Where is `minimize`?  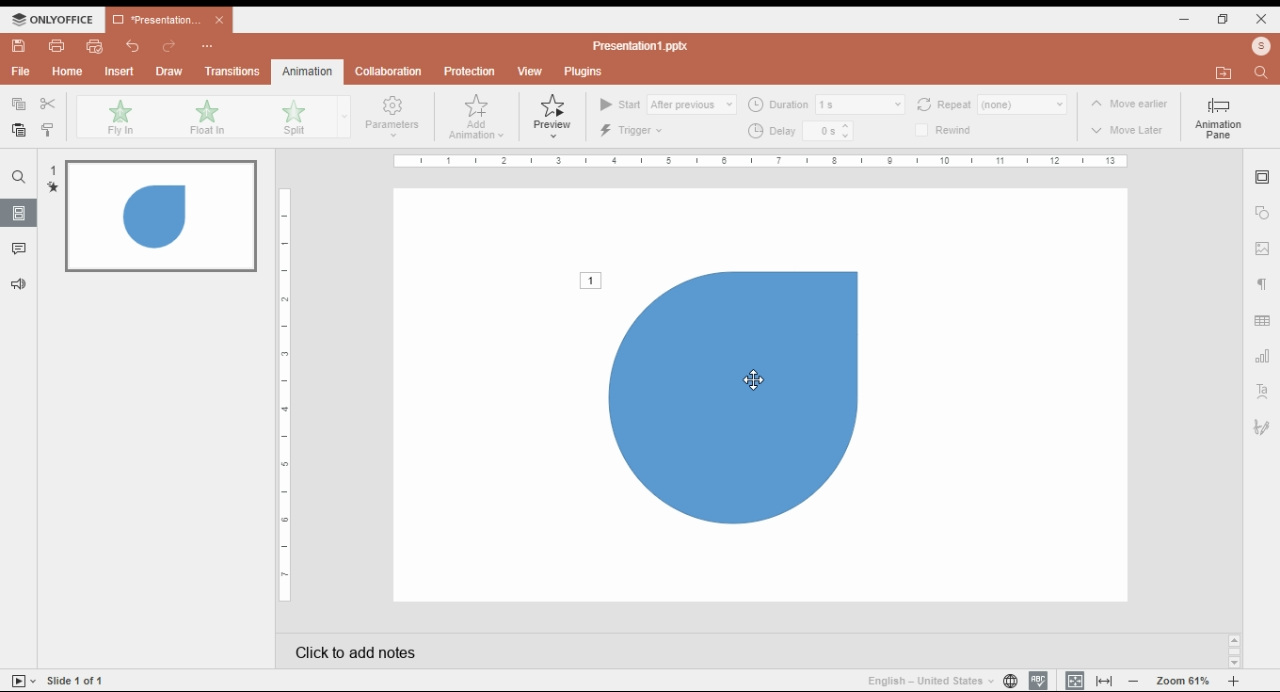 minimize is located at coordinates (1185, 20).